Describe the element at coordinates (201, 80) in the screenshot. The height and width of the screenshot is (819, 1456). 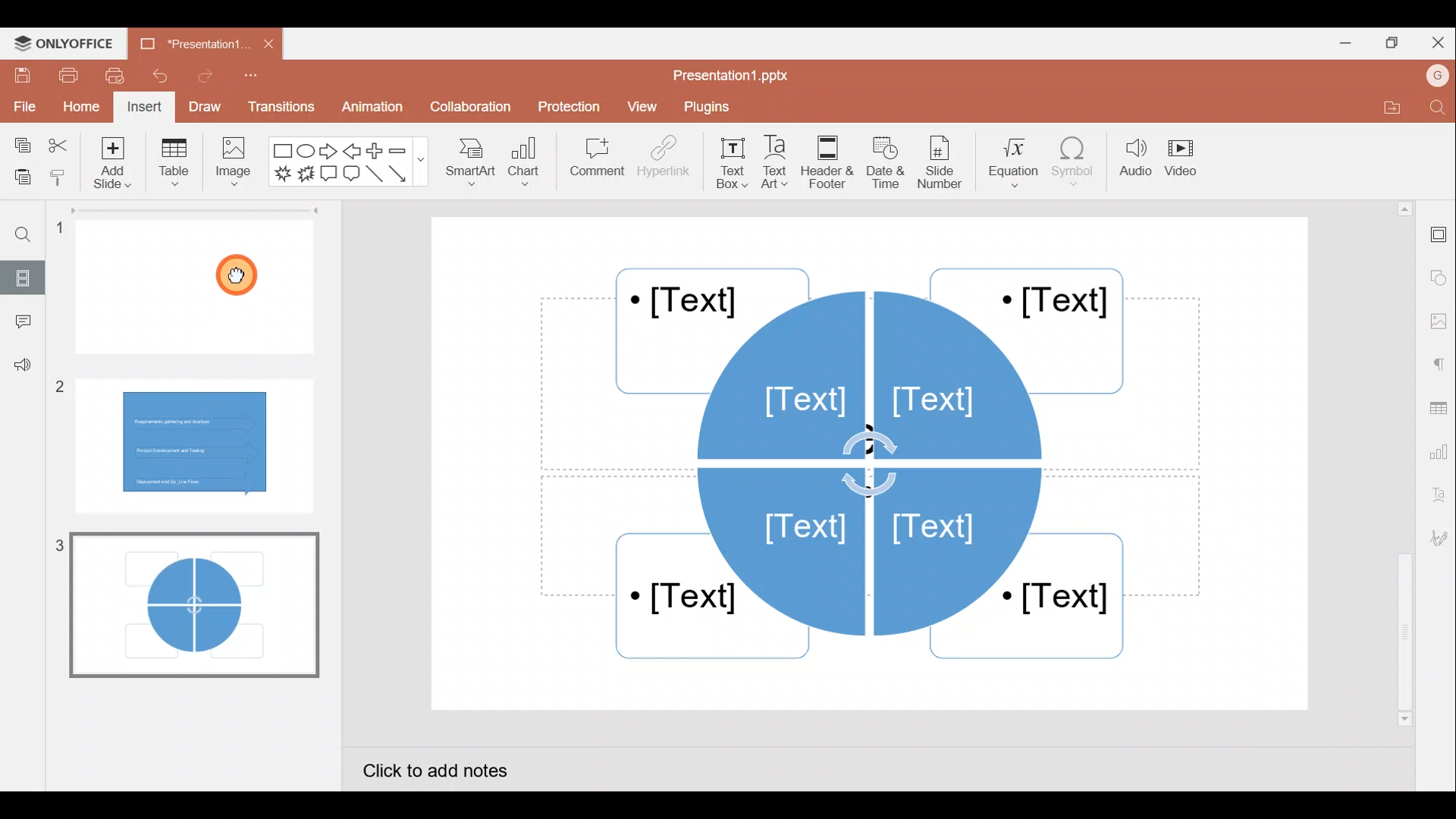
I see `Redo` at that location.